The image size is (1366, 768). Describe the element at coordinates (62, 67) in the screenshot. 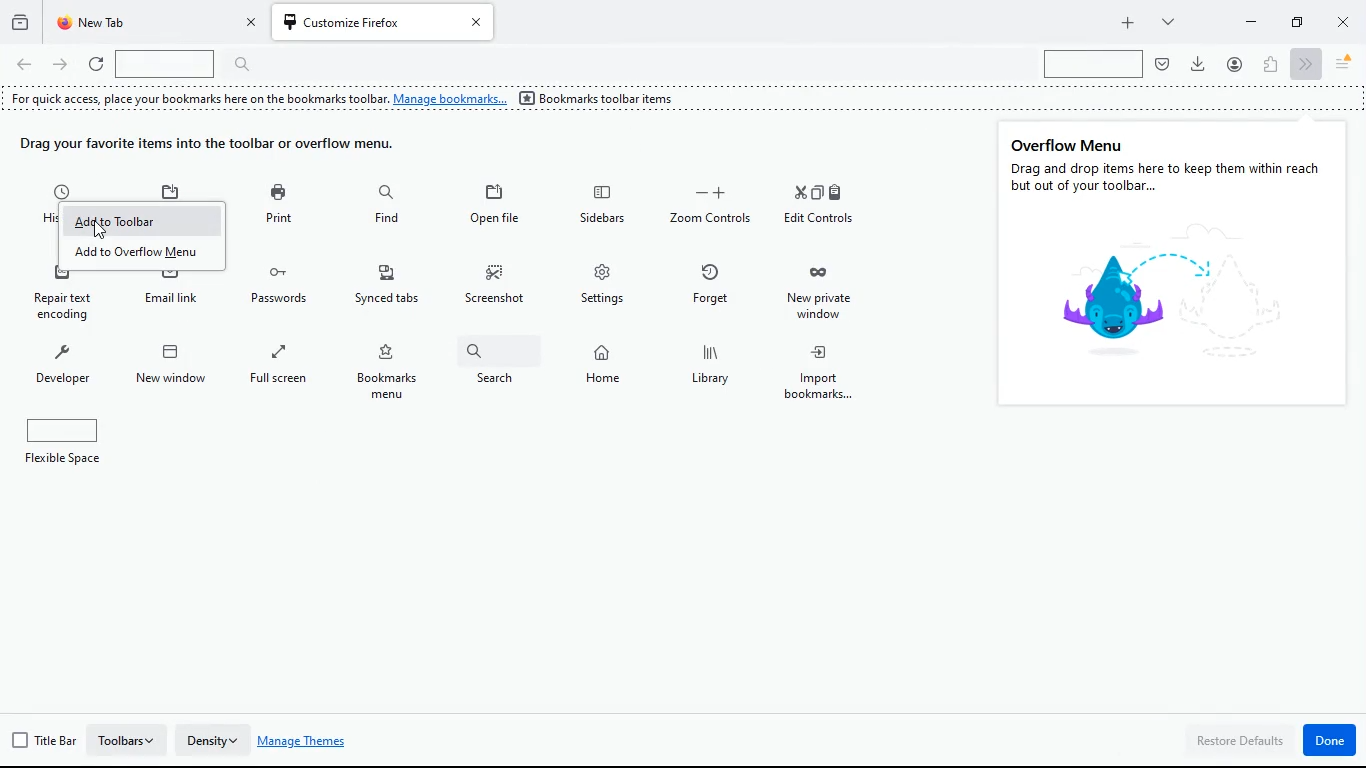

I see `forward` at that location.